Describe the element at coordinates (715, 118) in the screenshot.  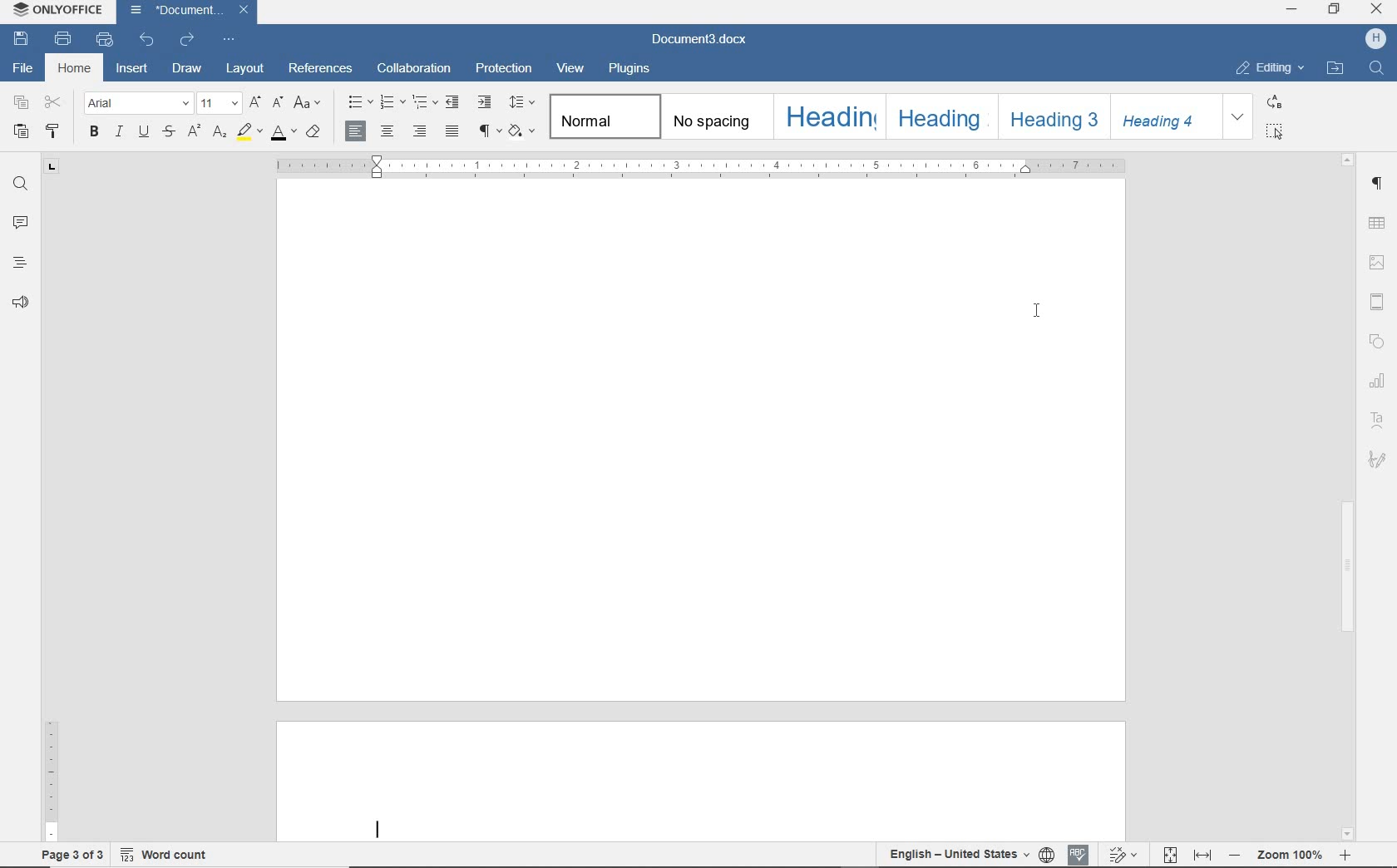
I see `NO SPACING` at that location.